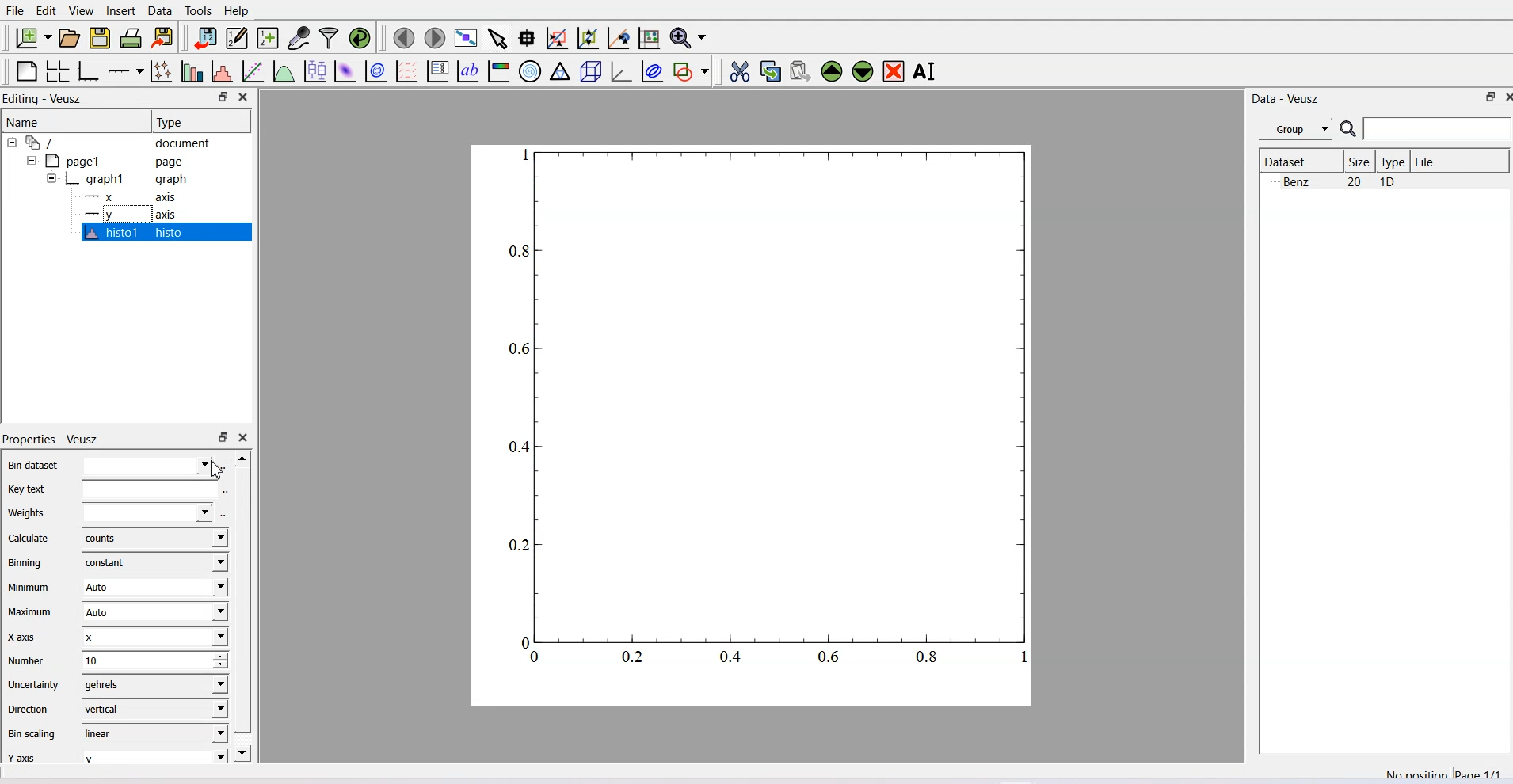 The image size is (1513, 784). Describe the element at coordinates (128, 178) in the screenshot. I see `Graph` at that location.